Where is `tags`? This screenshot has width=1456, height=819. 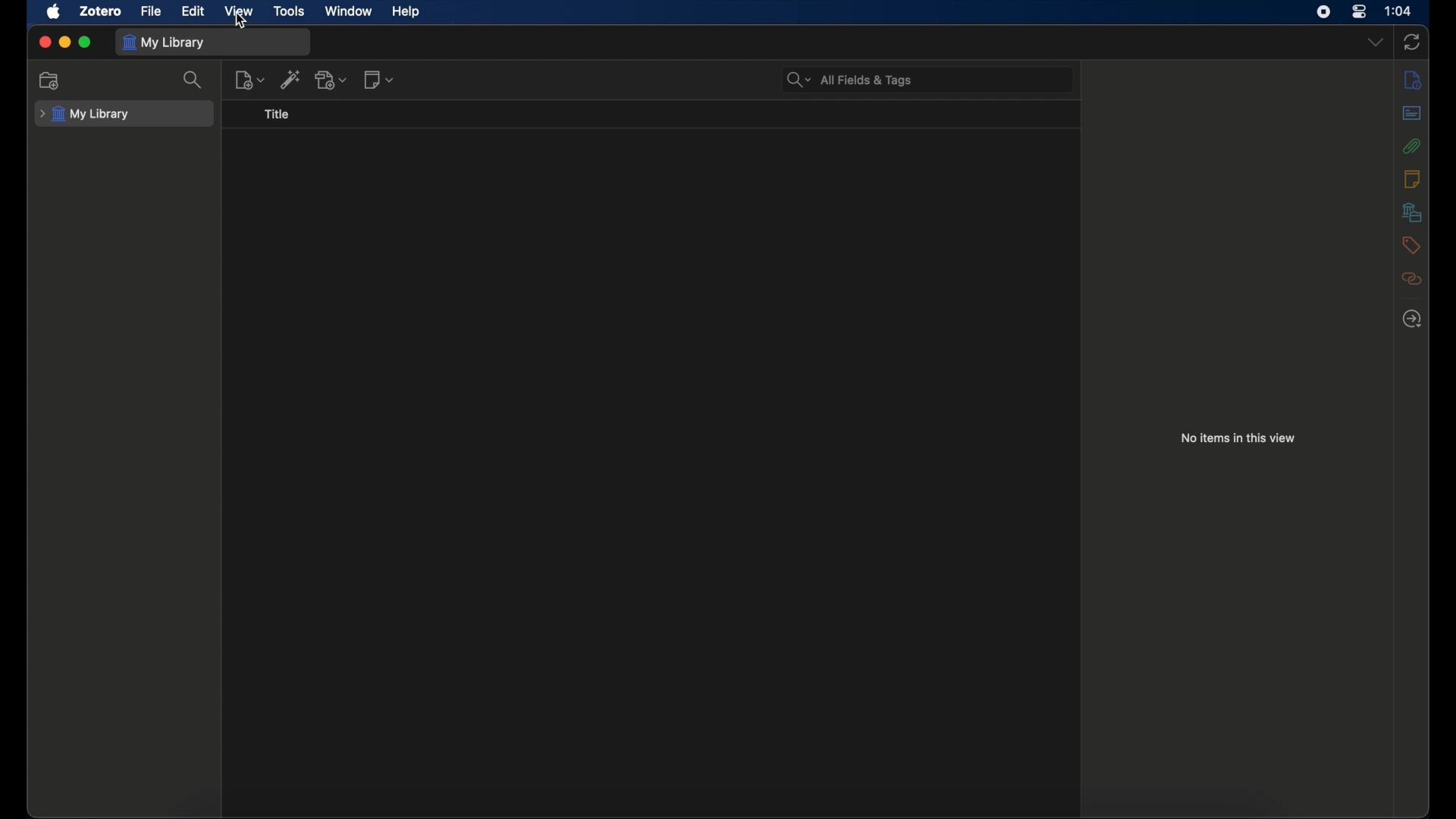
tags is located at coordinates (1412, 246).